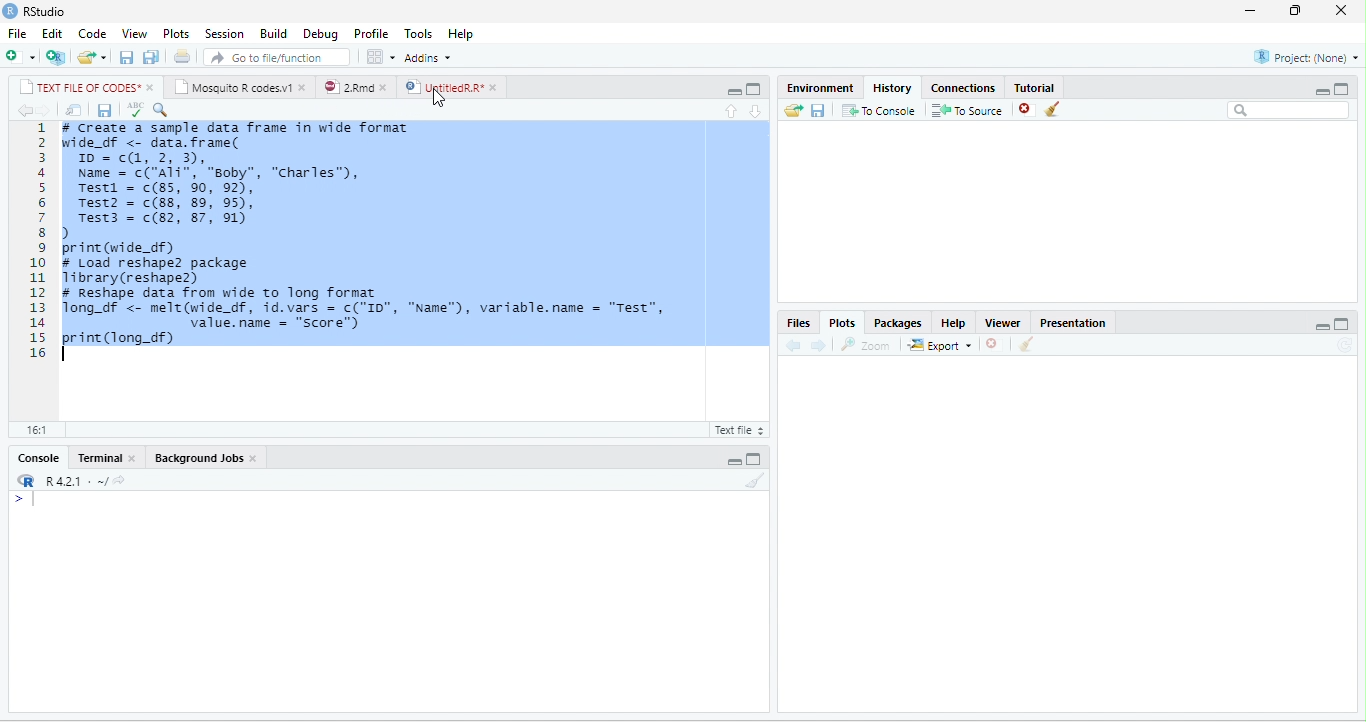 This screenshot has width=1366, height=722. I want to click on maximize, so click(754, 459).